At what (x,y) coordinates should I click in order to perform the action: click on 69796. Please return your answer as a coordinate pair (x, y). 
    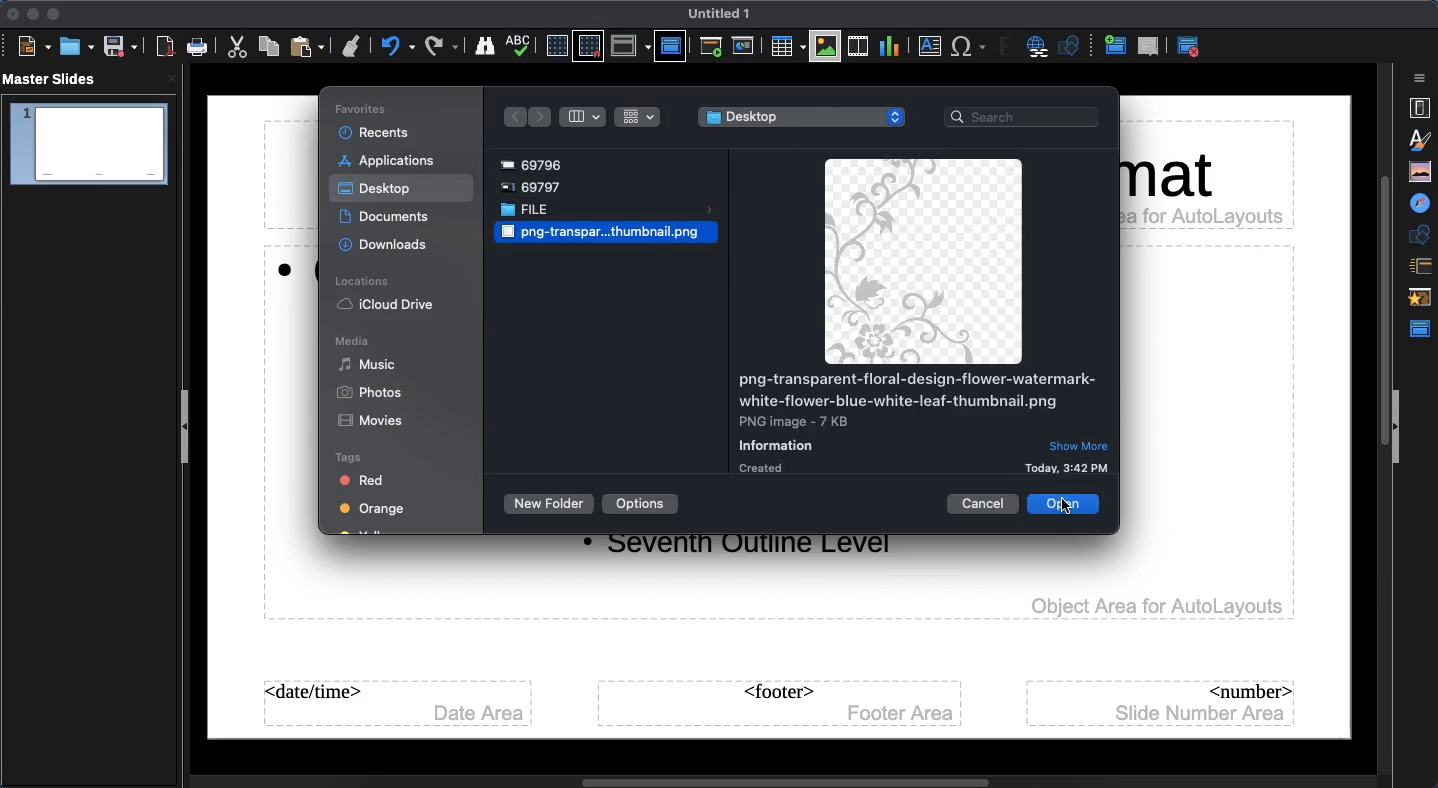
    Looking at the image, I should click on (537, 162).